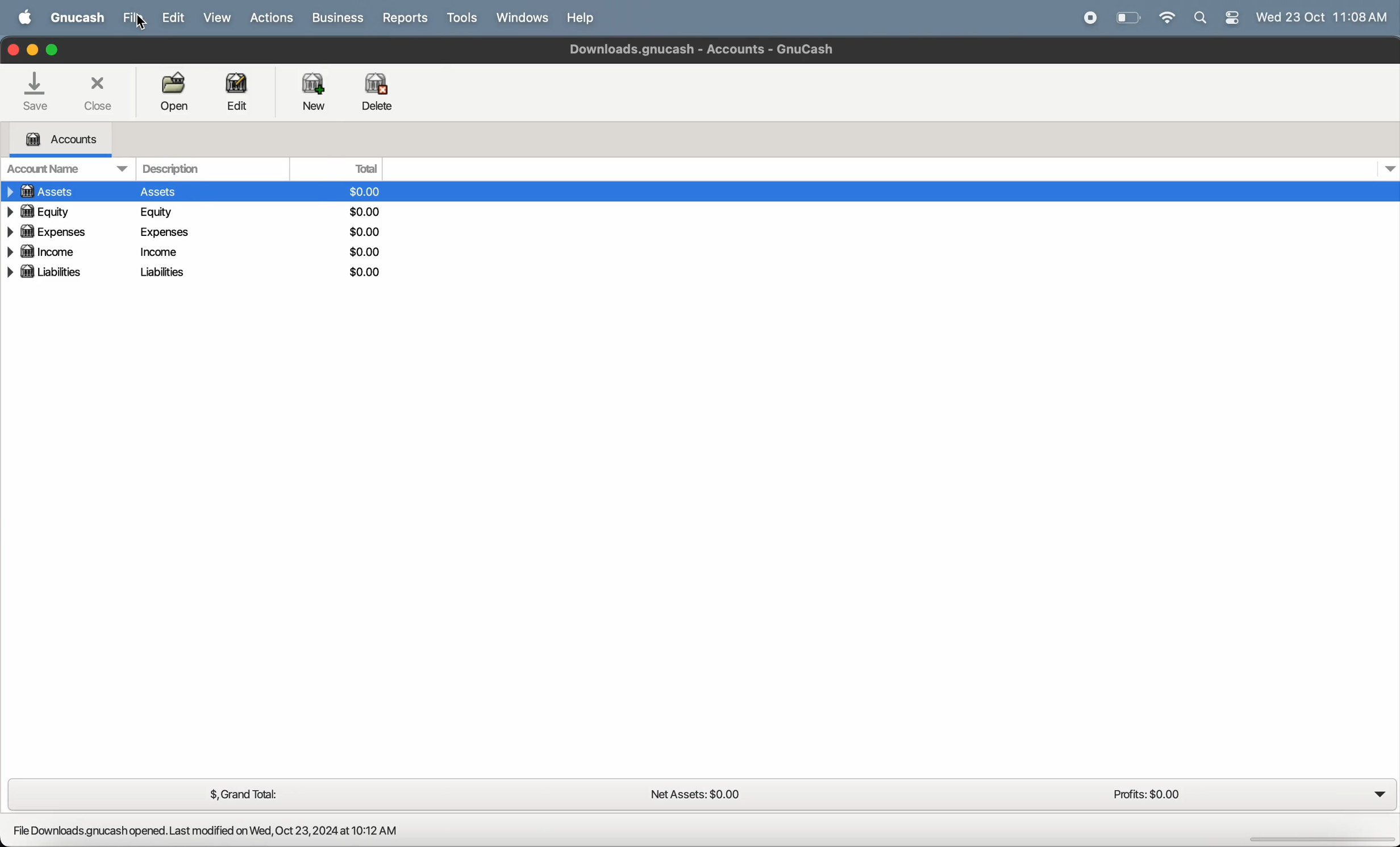 This screenshot has width=1400, height=847. I want to click on dollars, so click(364, 232).